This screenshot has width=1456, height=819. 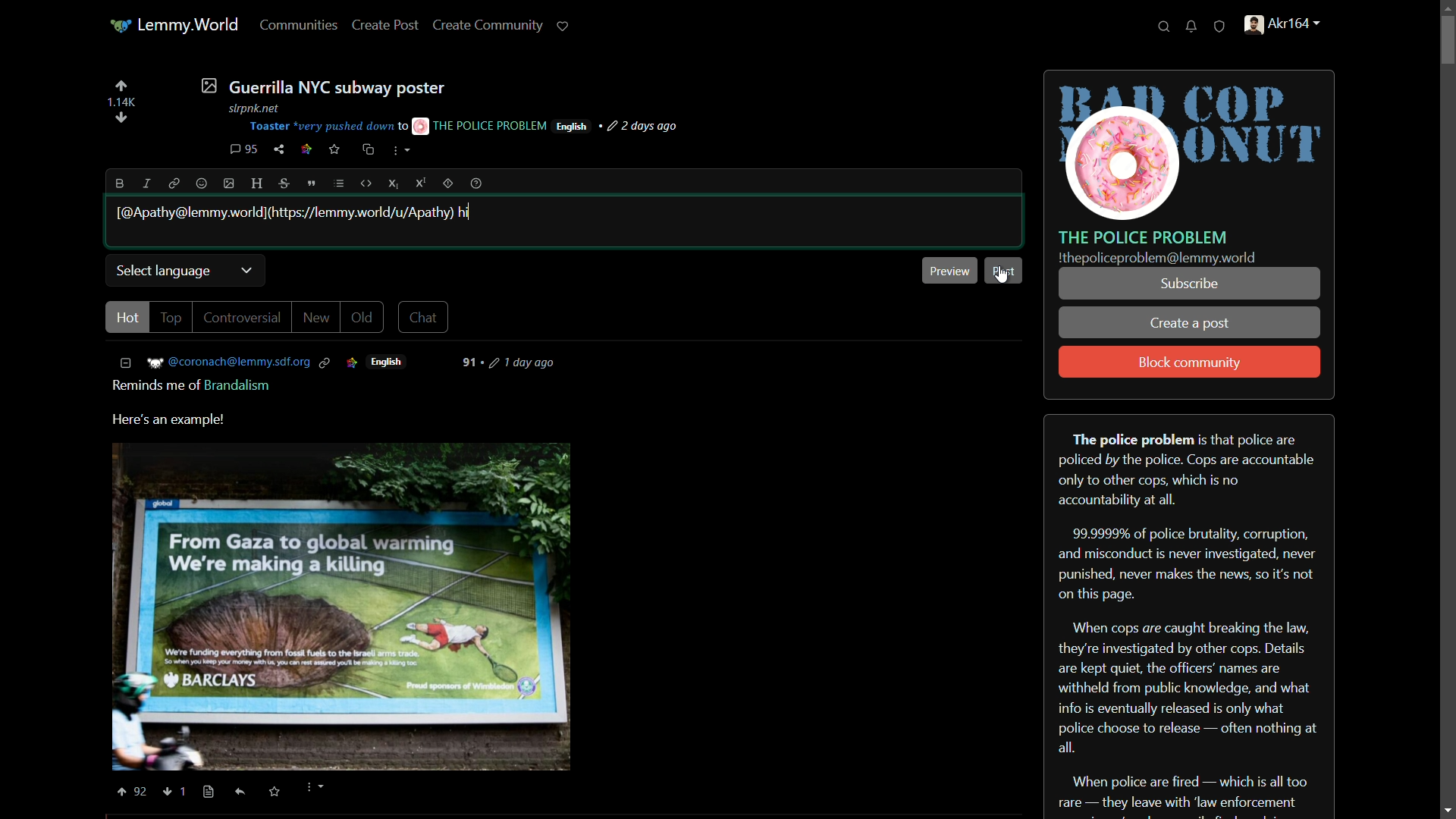 What do you see at coordinates (306, 151) in the screenshot?
I see `link` at bounding box center [306, 151].